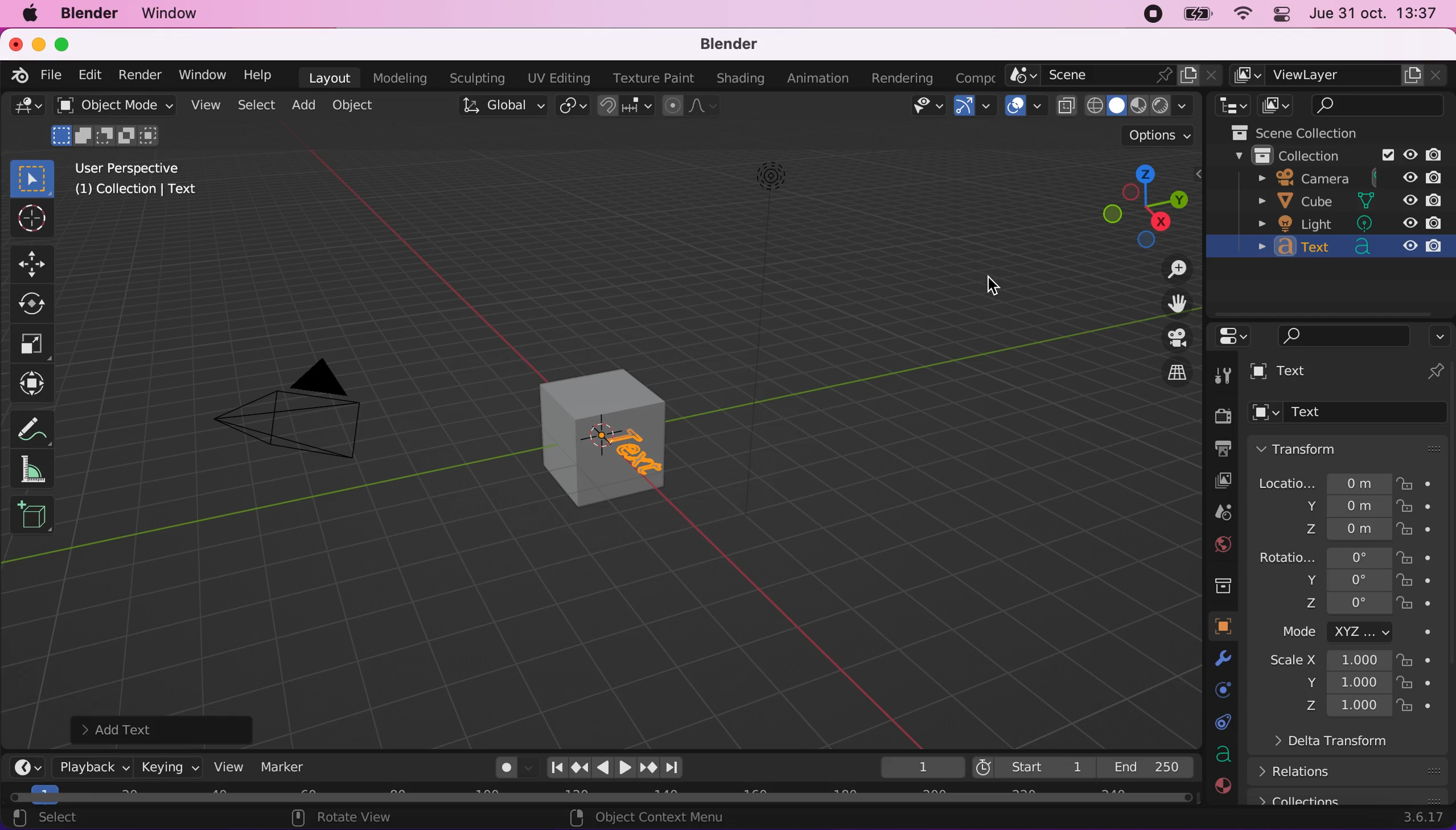  Describe the element at coordinates (906, 76) in the screenshot. I see `rendering` at that location.